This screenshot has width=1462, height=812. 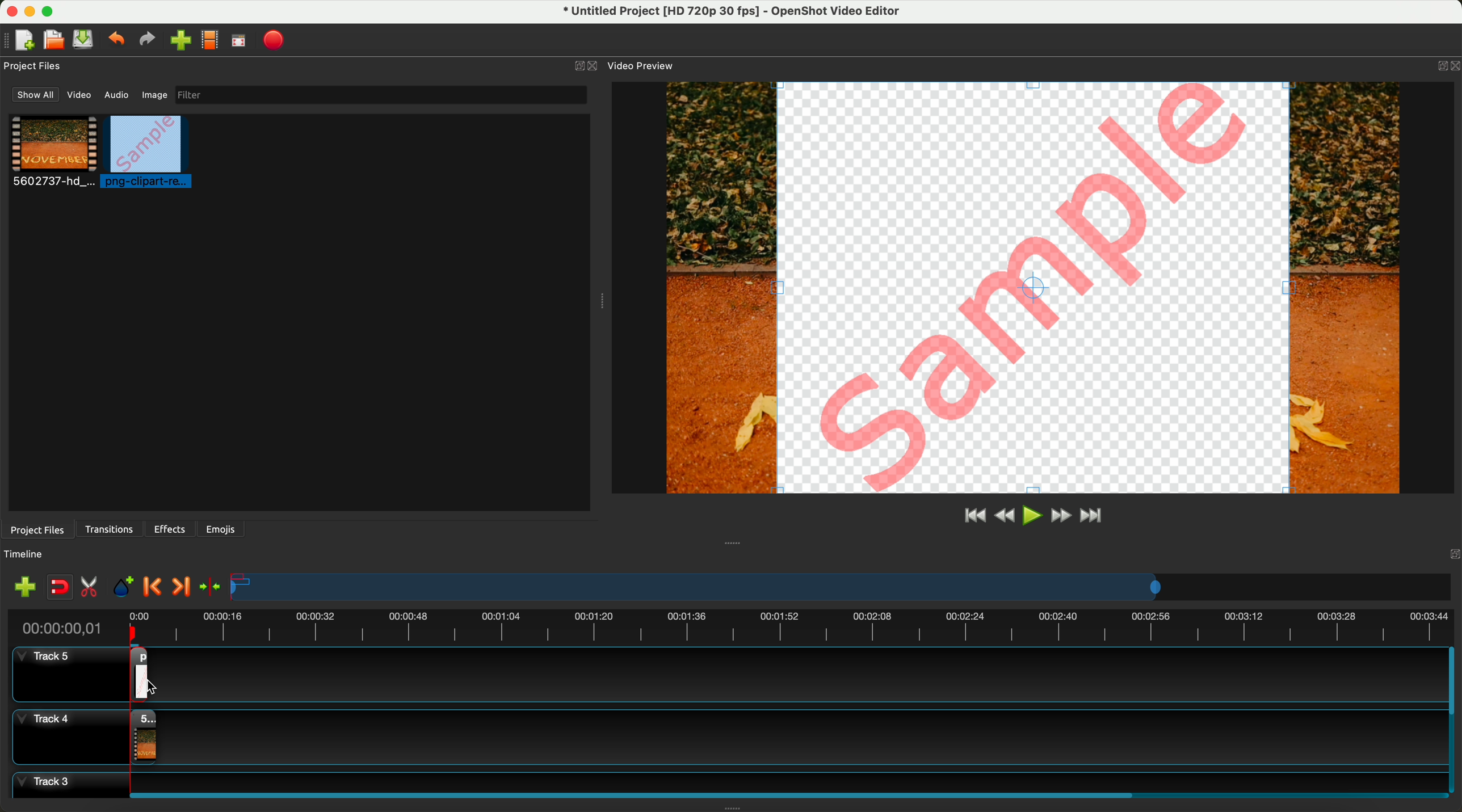 What do you see at coordinates (975, 516) in the screenshot?
I see `jump to start` at bounding box center [975, 516].